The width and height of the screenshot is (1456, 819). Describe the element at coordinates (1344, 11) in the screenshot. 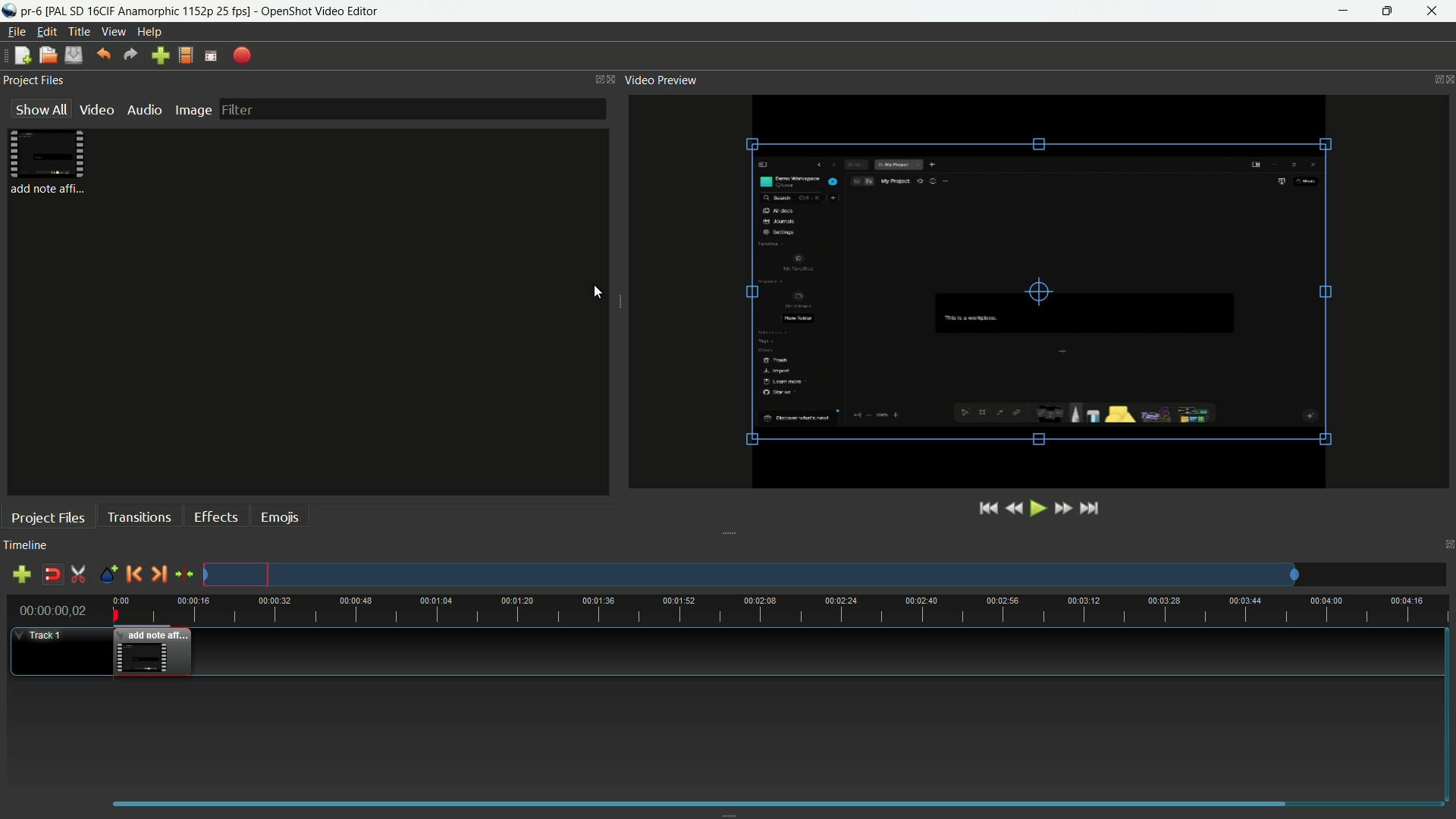

I see `minimize` at that location.